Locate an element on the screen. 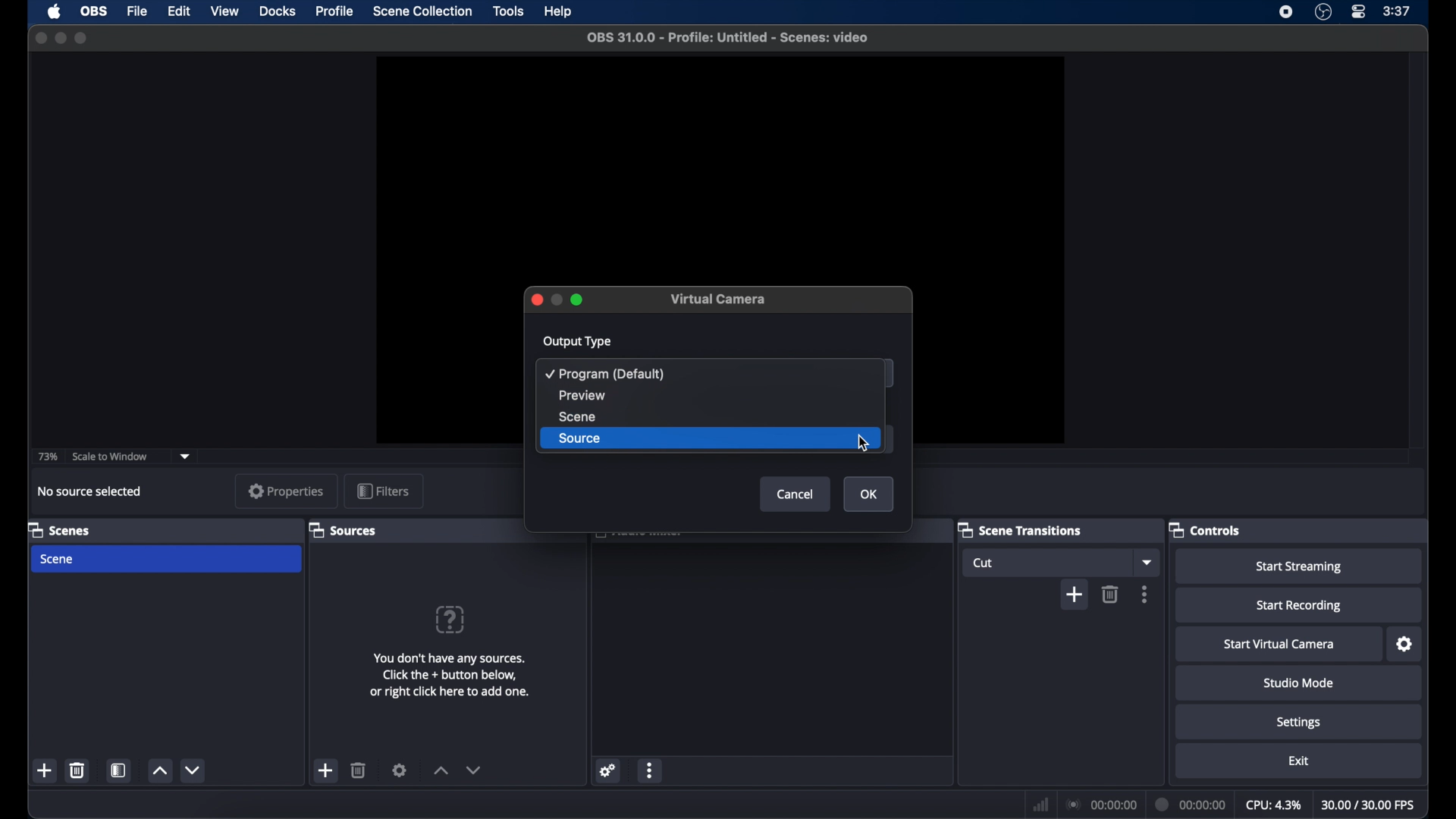 This screenshot has height=819, width=1456. scene is located at coordinates (58, 560).